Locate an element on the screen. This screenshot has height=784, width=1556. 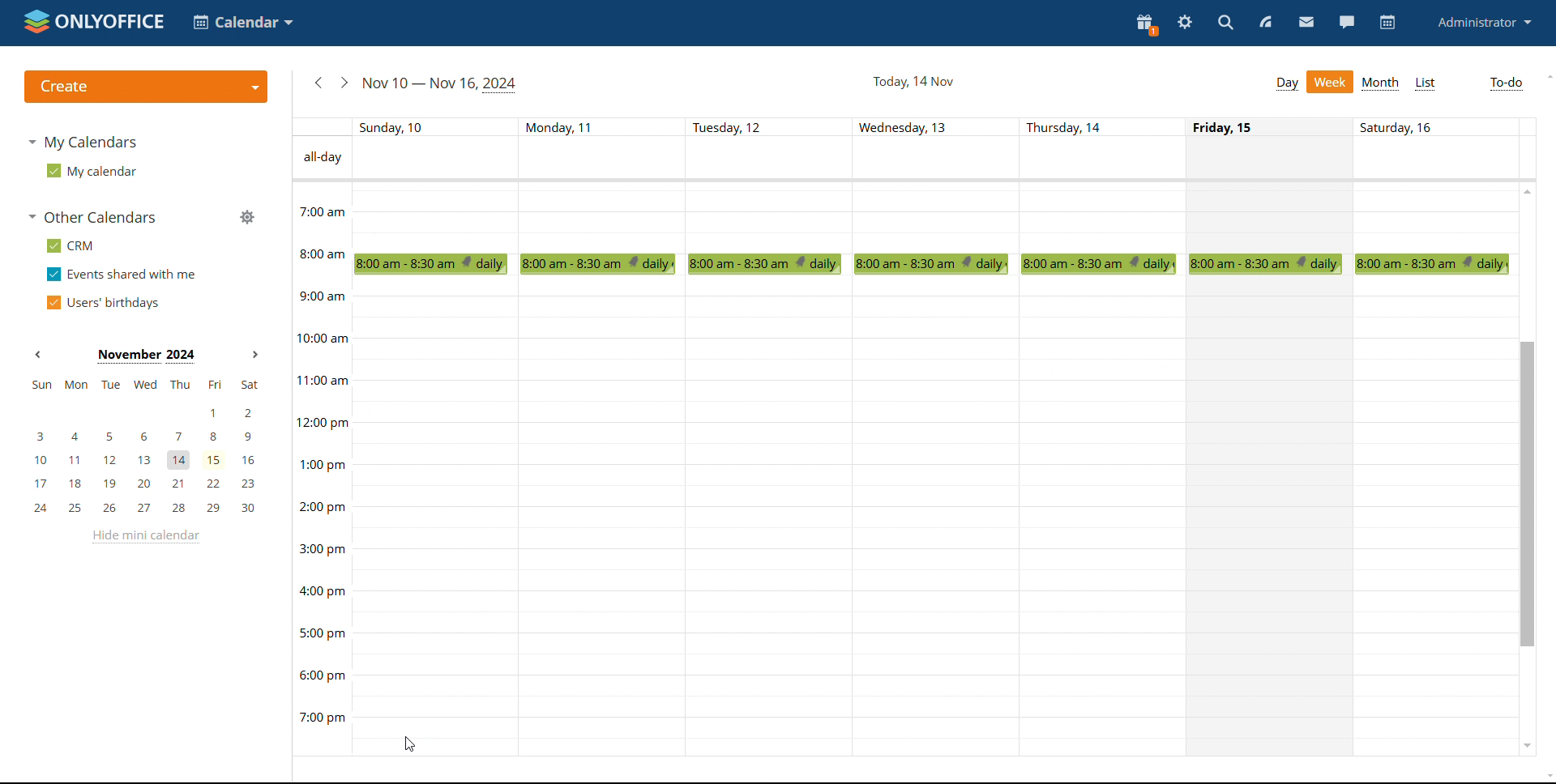
hide mini calendar is located at coordinates (143, 537).